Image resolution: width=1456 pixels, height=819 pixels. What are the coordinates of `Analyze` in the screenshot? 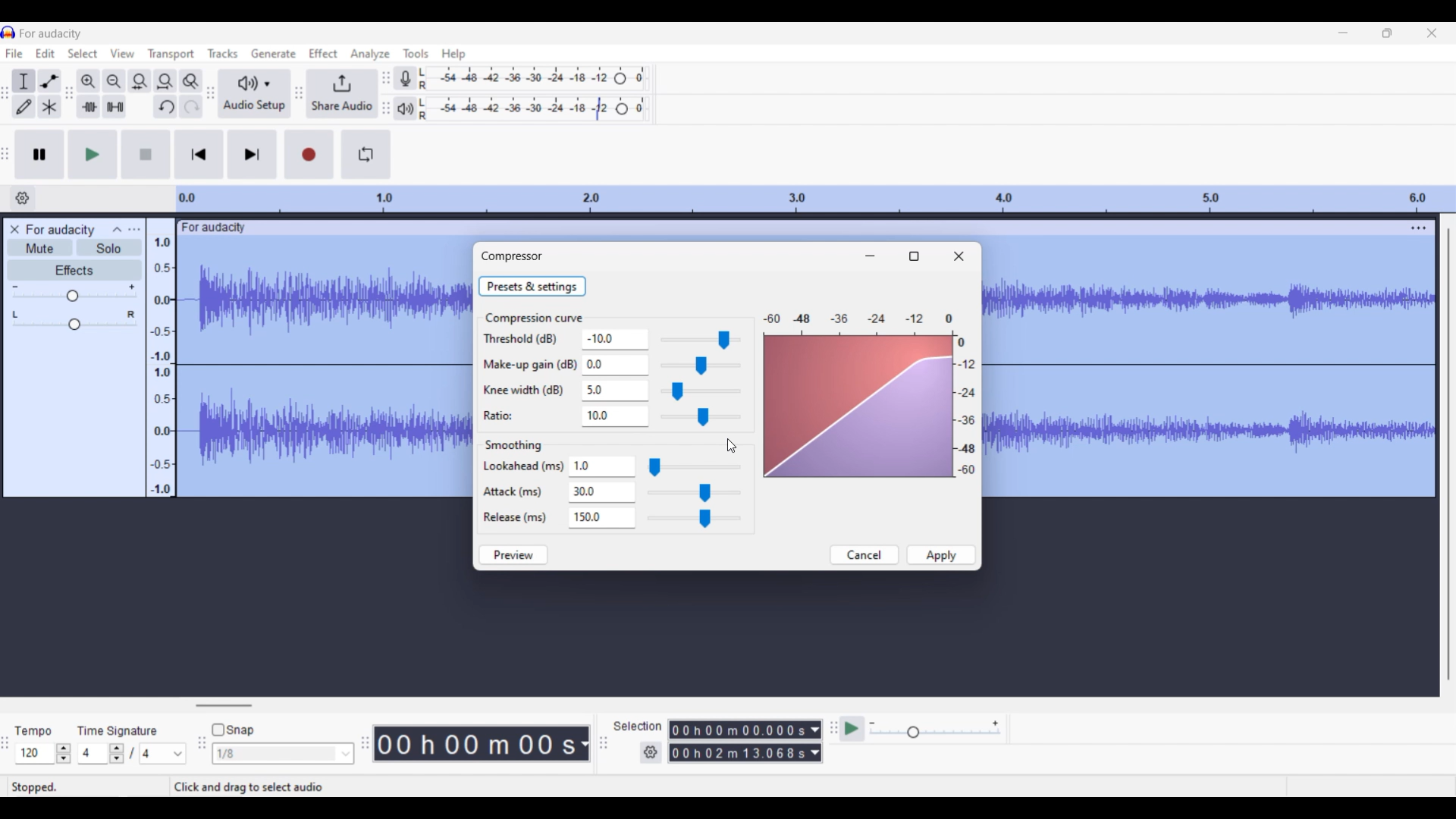 It's located at (369, 54).